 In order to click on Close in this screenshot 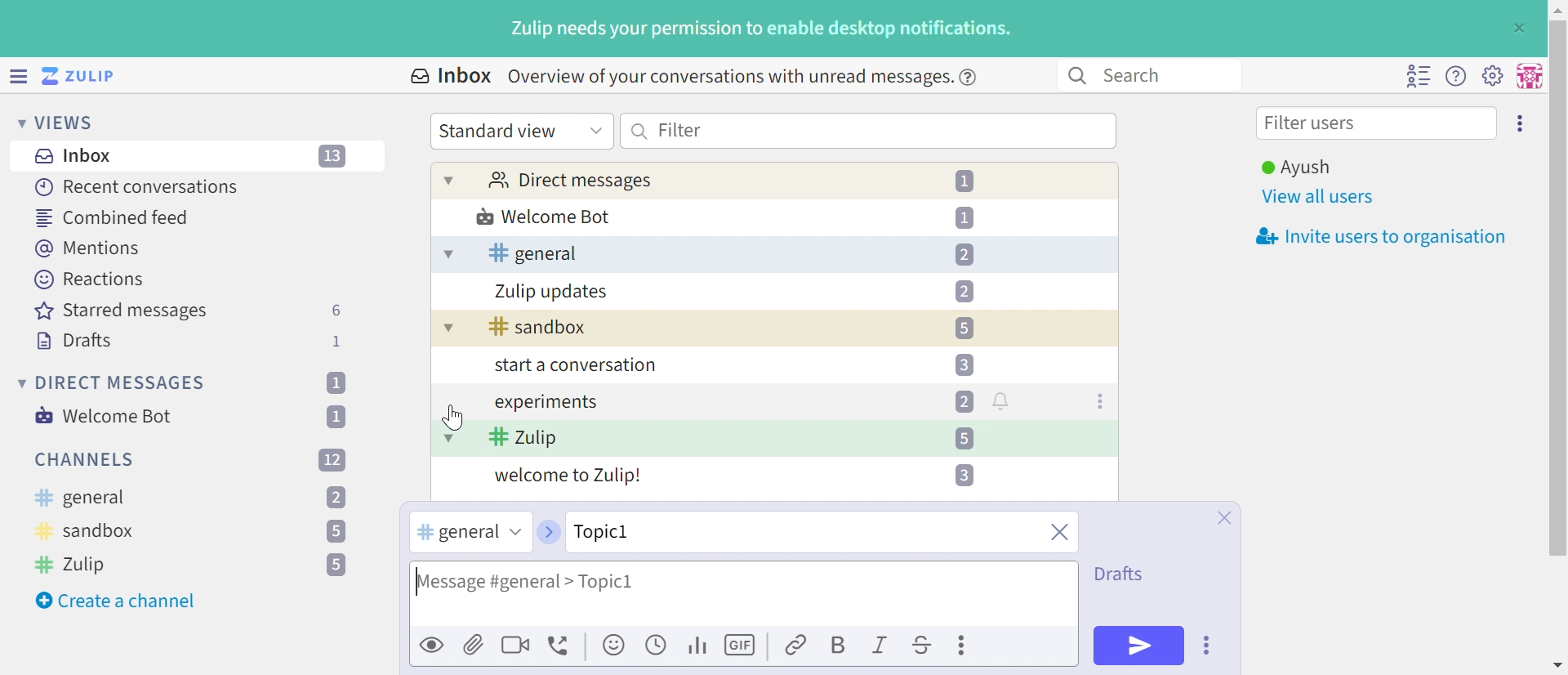, I will do `click(1517, 29)`.